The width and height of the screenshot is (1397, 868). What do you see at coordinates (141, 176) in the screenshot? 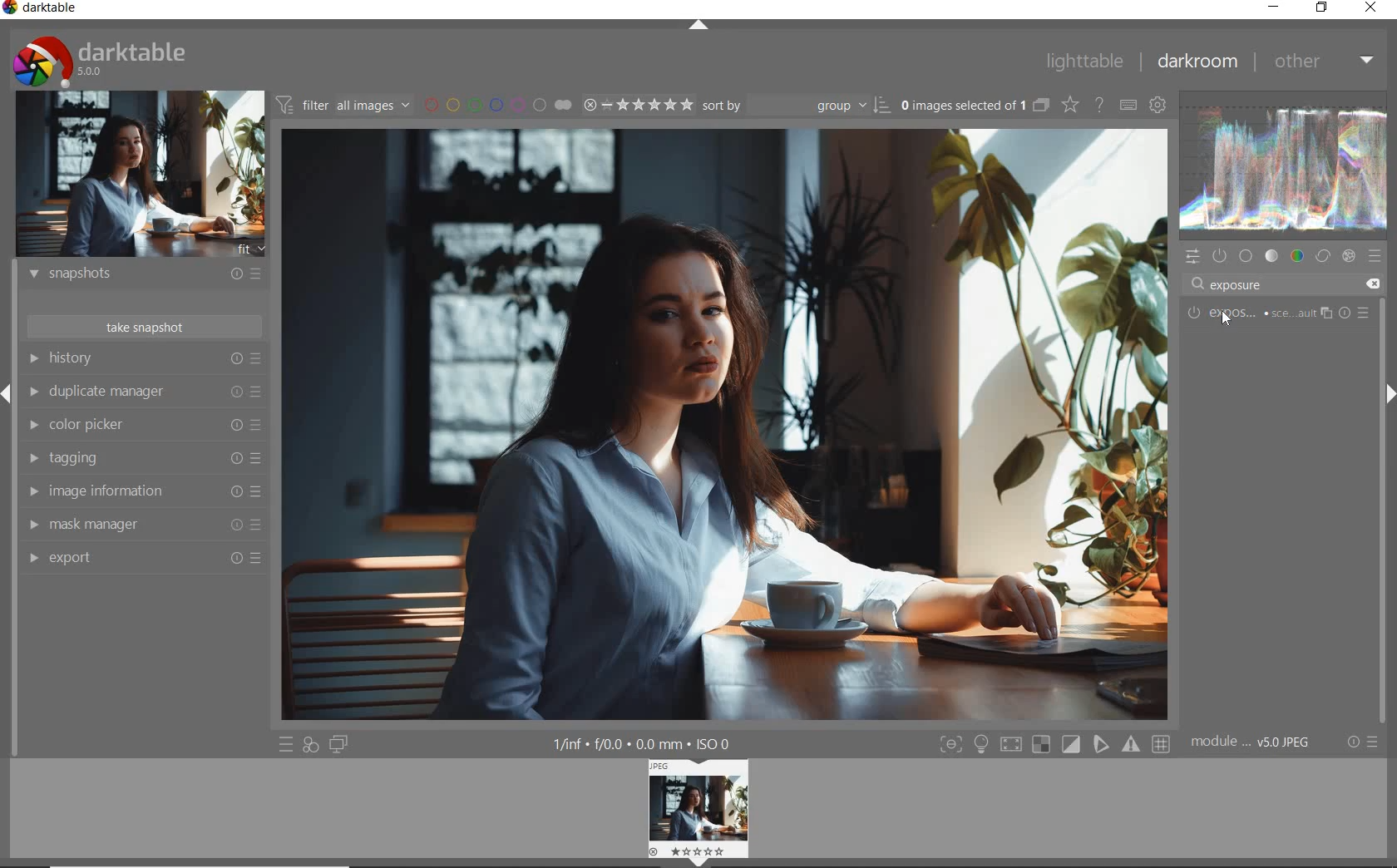
I see `image preview` at bounding box center [141, 176].